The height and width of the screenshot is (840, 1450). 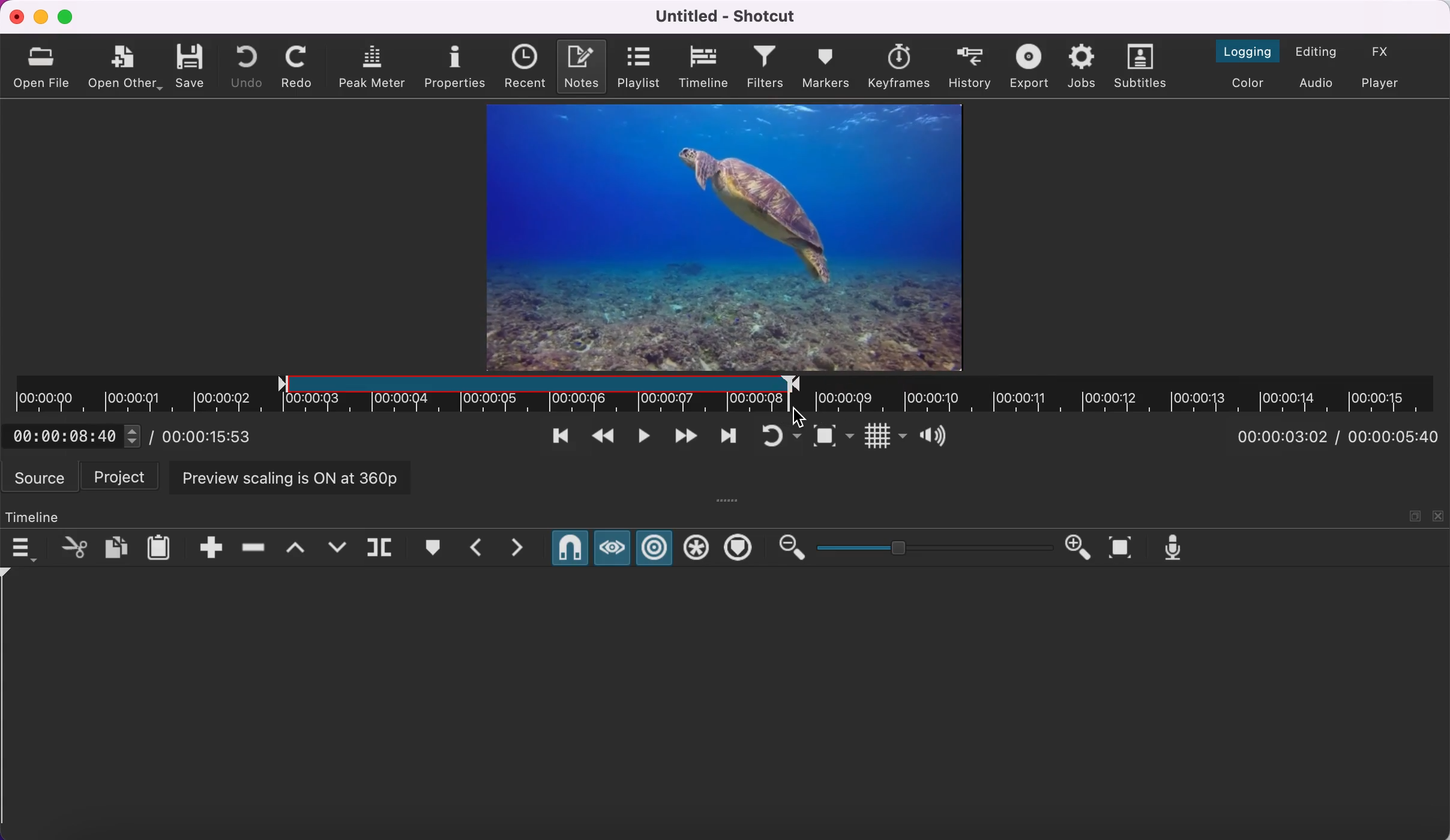 What do you see at coordinates (534, 394) in the screenshot?
I see `clipped region of timeline` at bounding box center [534, 394].